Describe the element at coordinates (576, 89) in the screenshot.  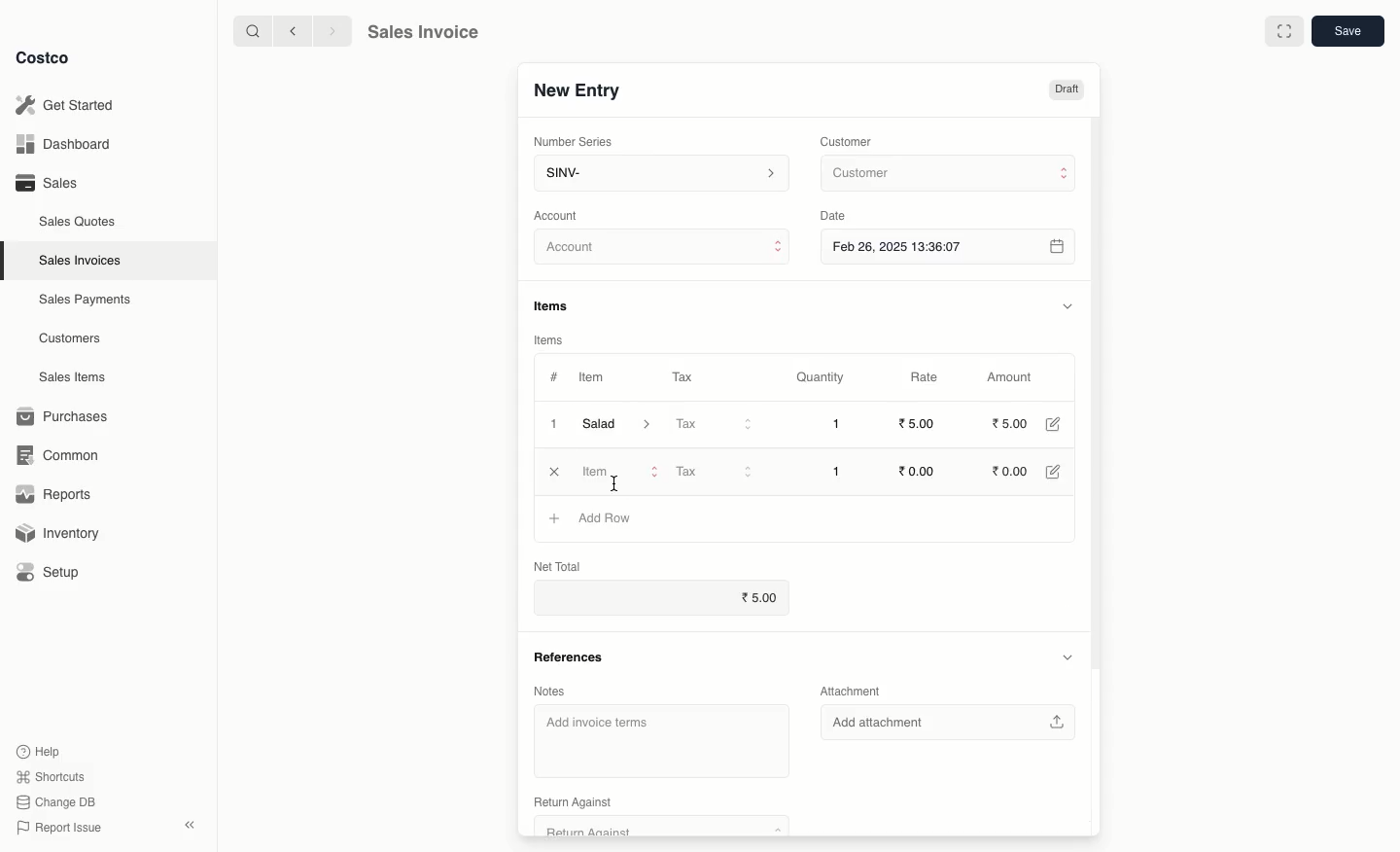
I see `New Entry` at that location.